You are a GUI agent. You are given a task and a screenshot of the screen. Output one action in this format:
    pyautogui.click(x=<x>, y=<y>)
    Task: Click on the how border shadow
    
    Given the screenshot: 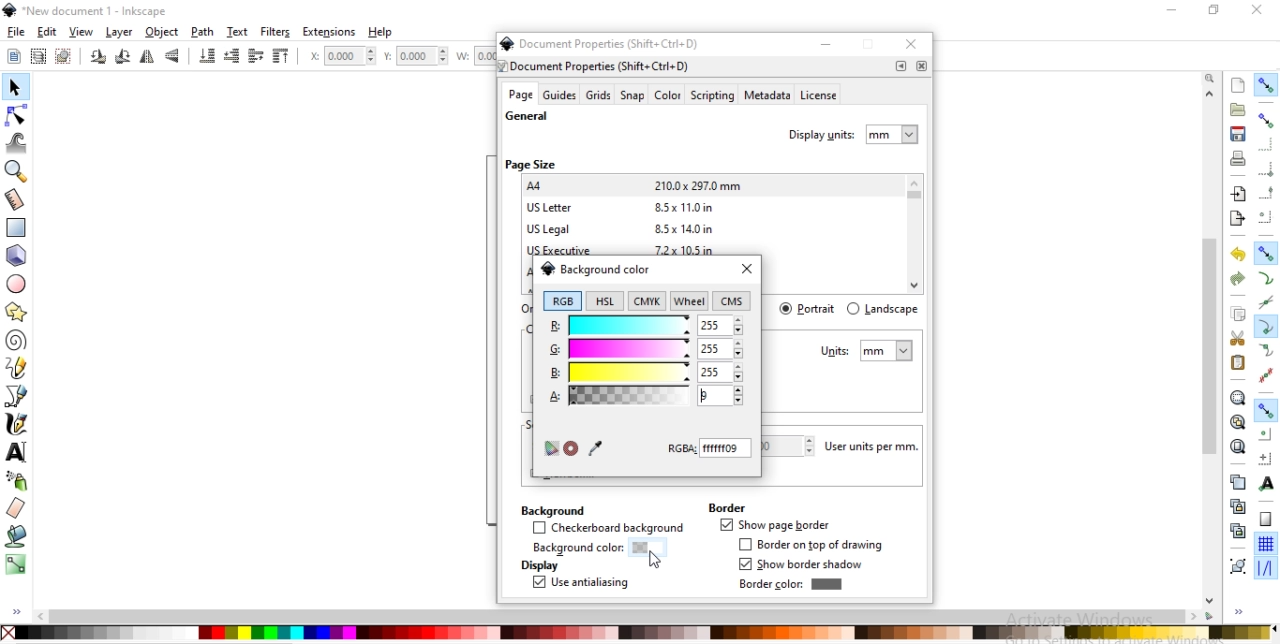 What is the action you would take?
    pyautogui.click(x=804, y=565)
    